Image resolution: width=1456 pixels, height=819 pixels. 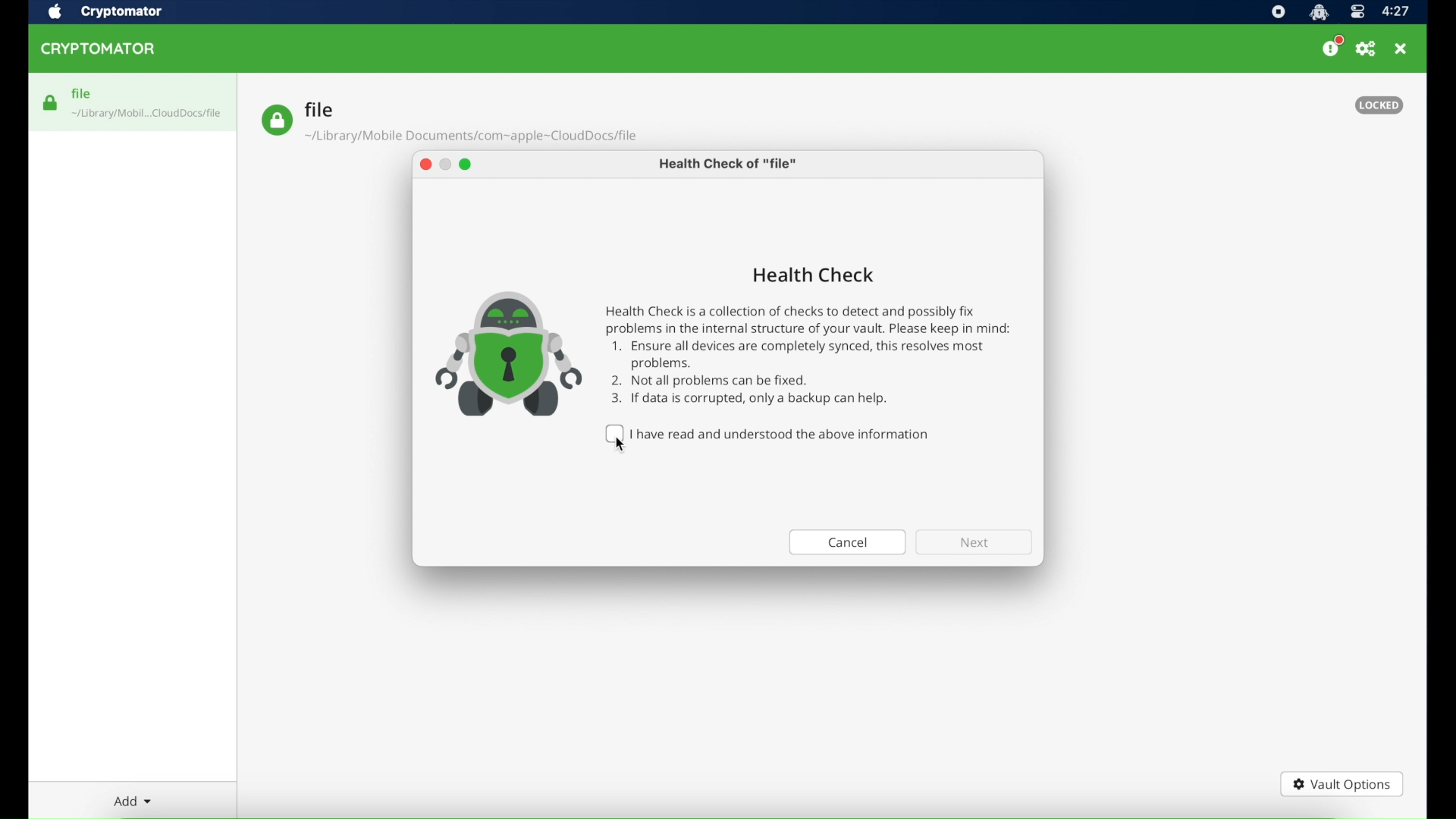 I want to click on minimize, so click(x=446, y=164).